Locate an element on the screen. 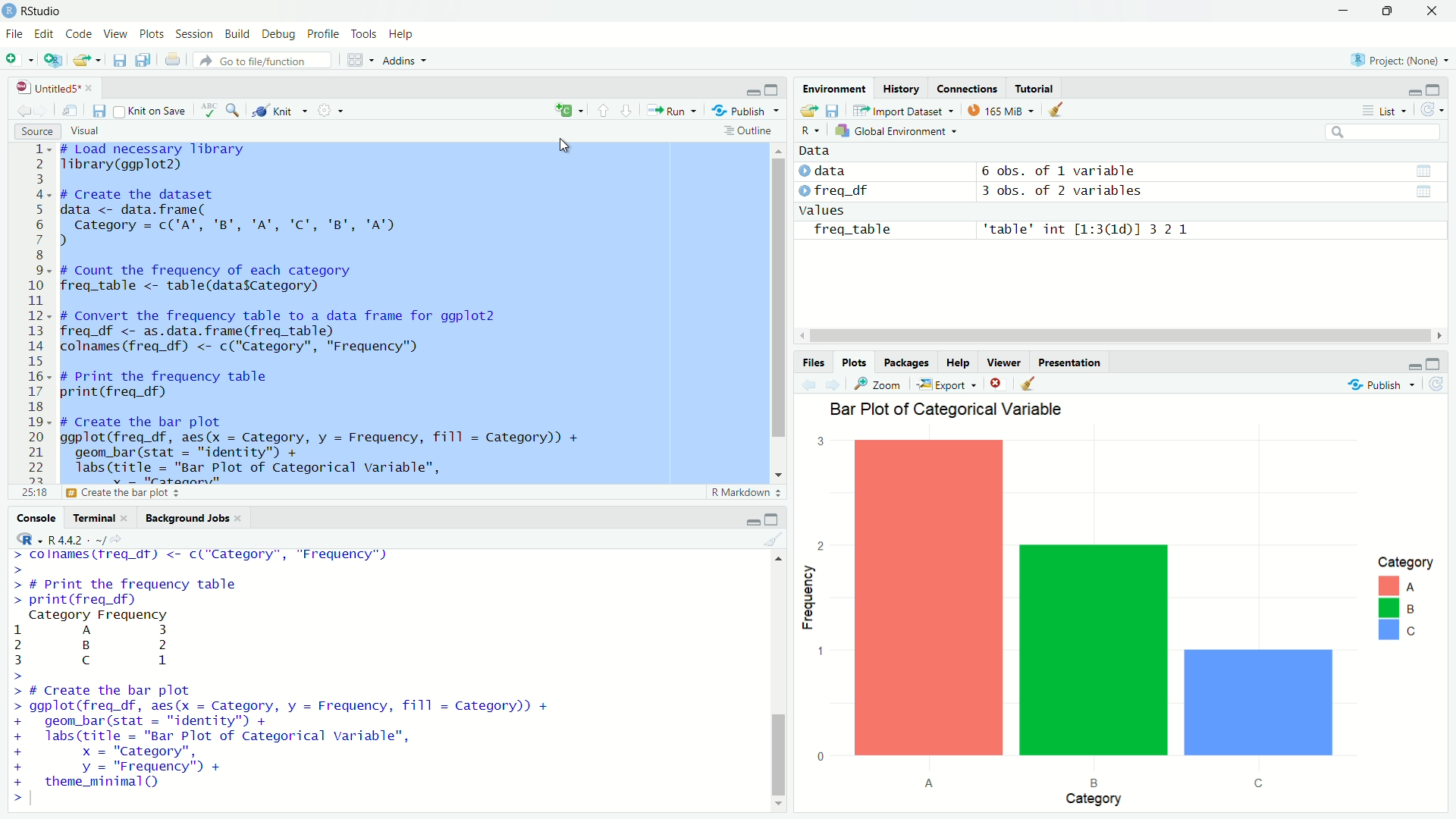 The image size is (1456, 819). maximize is located at coordinates (1435, 90).